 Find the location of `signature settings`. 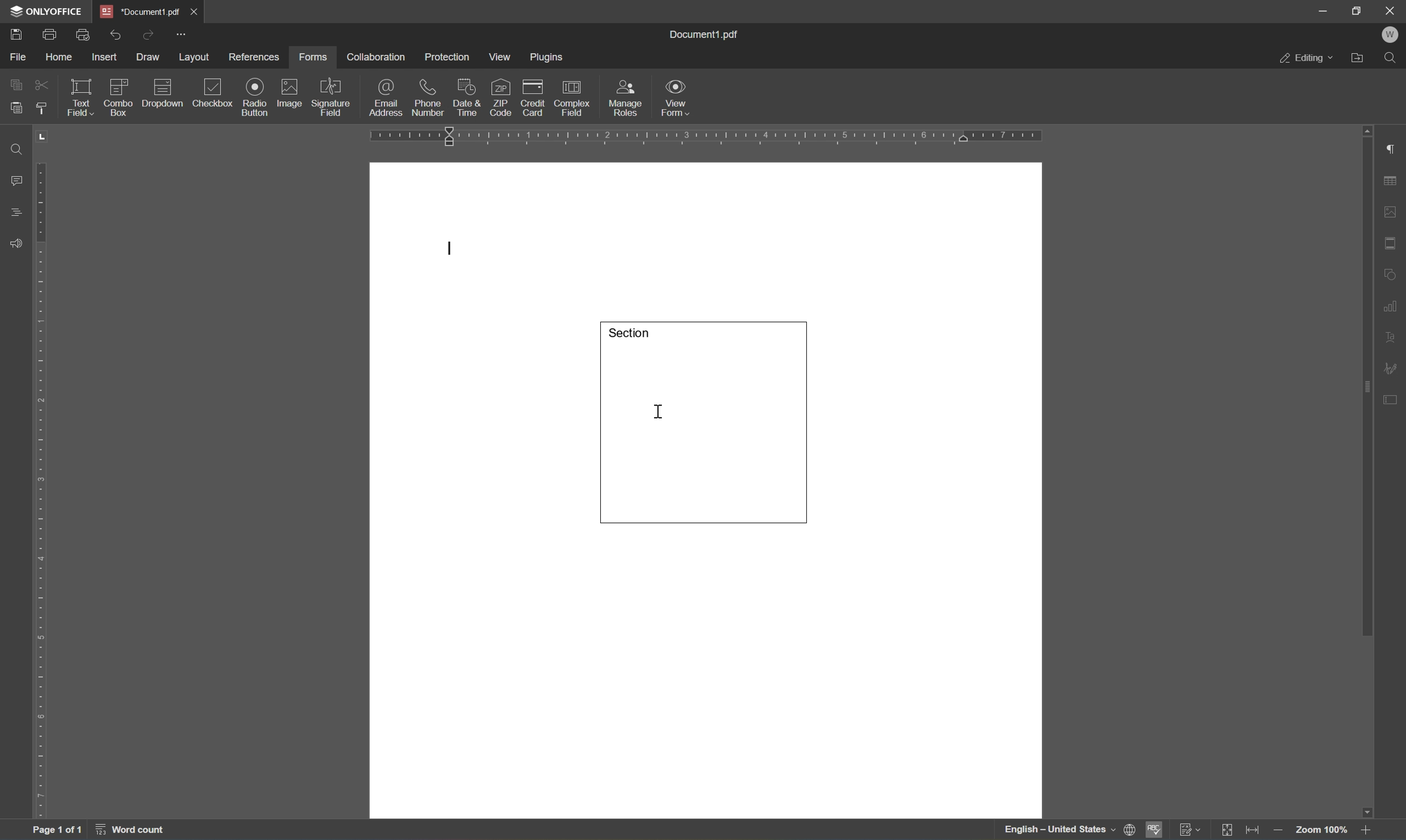

signature settings is located at coordinates (1394, 368).